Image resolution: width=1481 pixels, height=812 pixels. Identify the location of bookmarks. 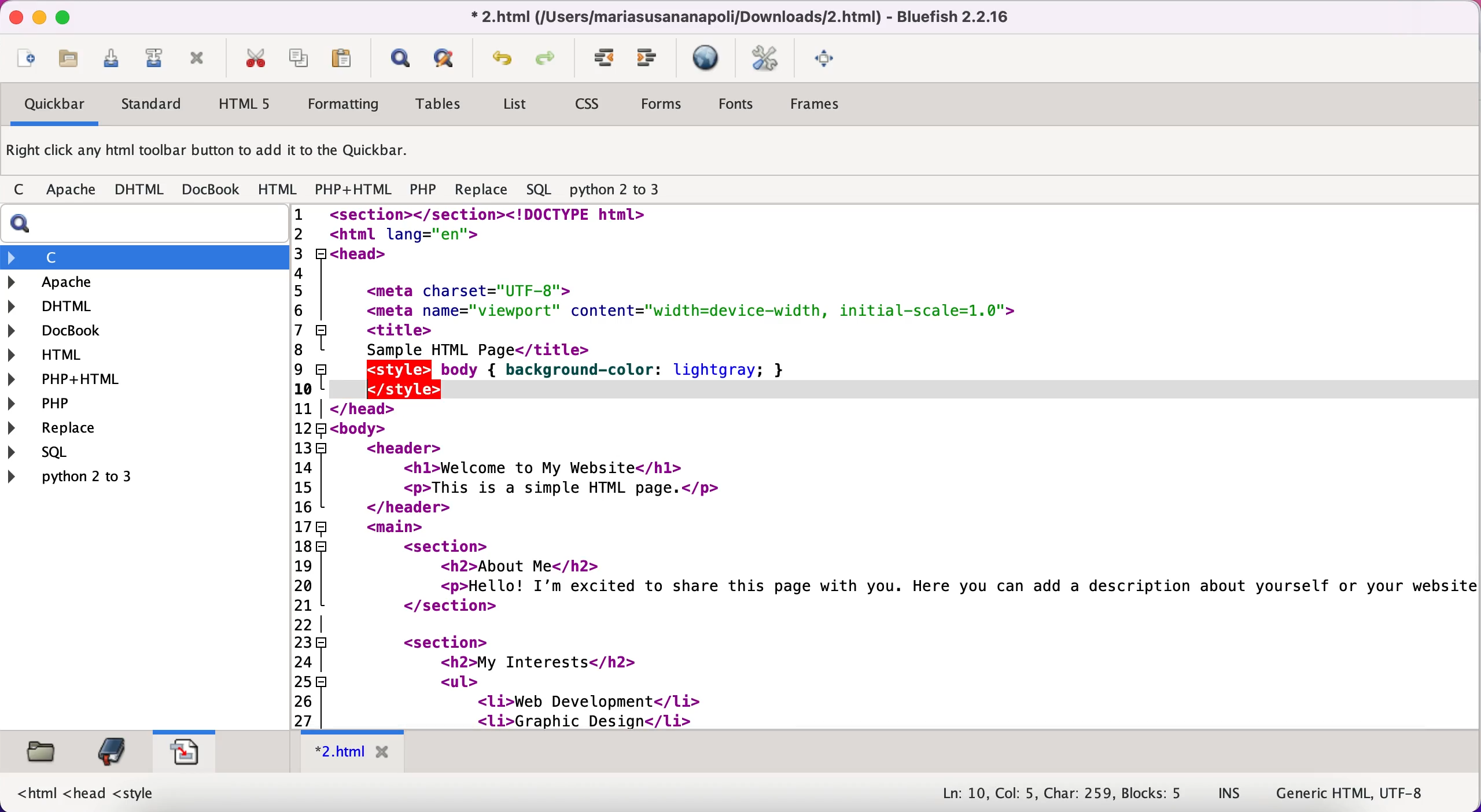
(111, 751).